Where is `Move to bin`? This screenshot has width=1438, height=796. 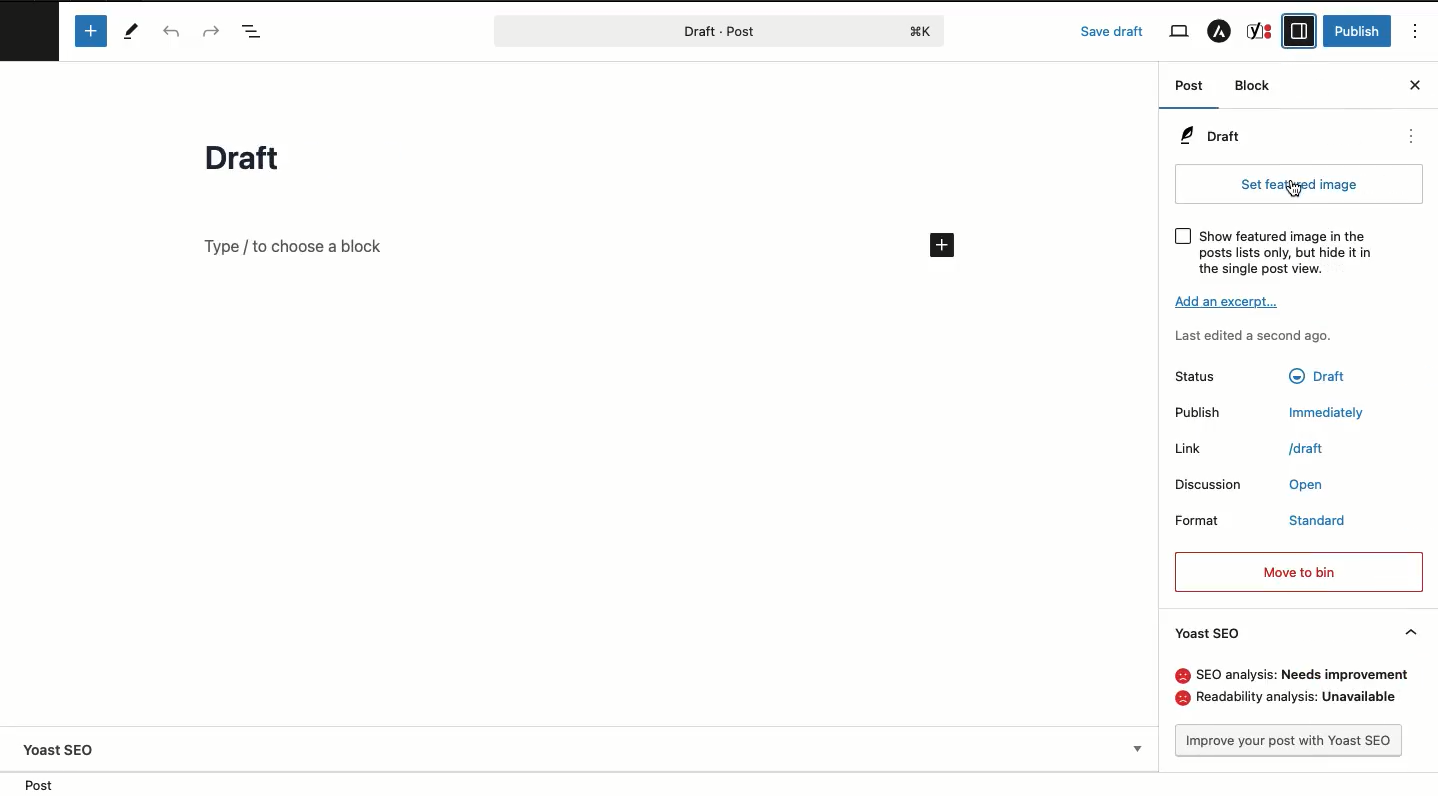
Move to bin is located at coordinates (1297, 572).